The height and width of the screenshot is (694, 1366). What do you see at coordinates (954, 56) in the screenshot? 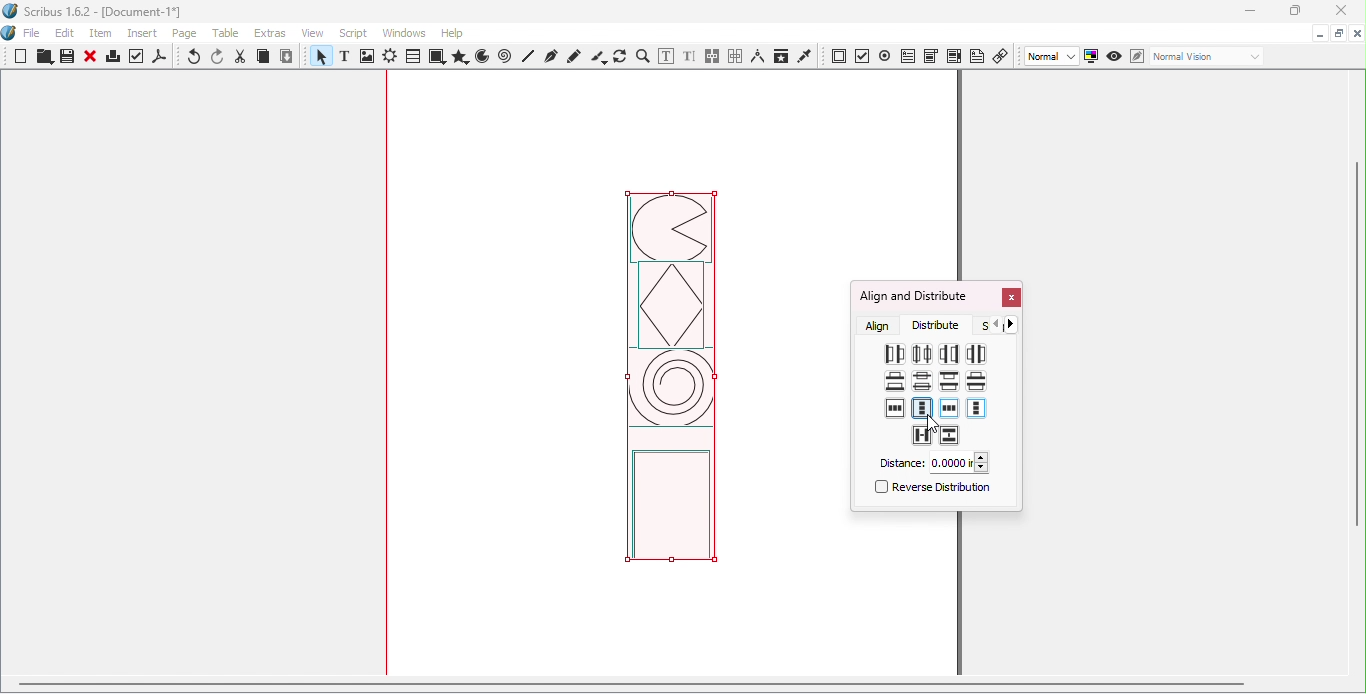
I see `PDF list box` at bounding box center [954, 56].